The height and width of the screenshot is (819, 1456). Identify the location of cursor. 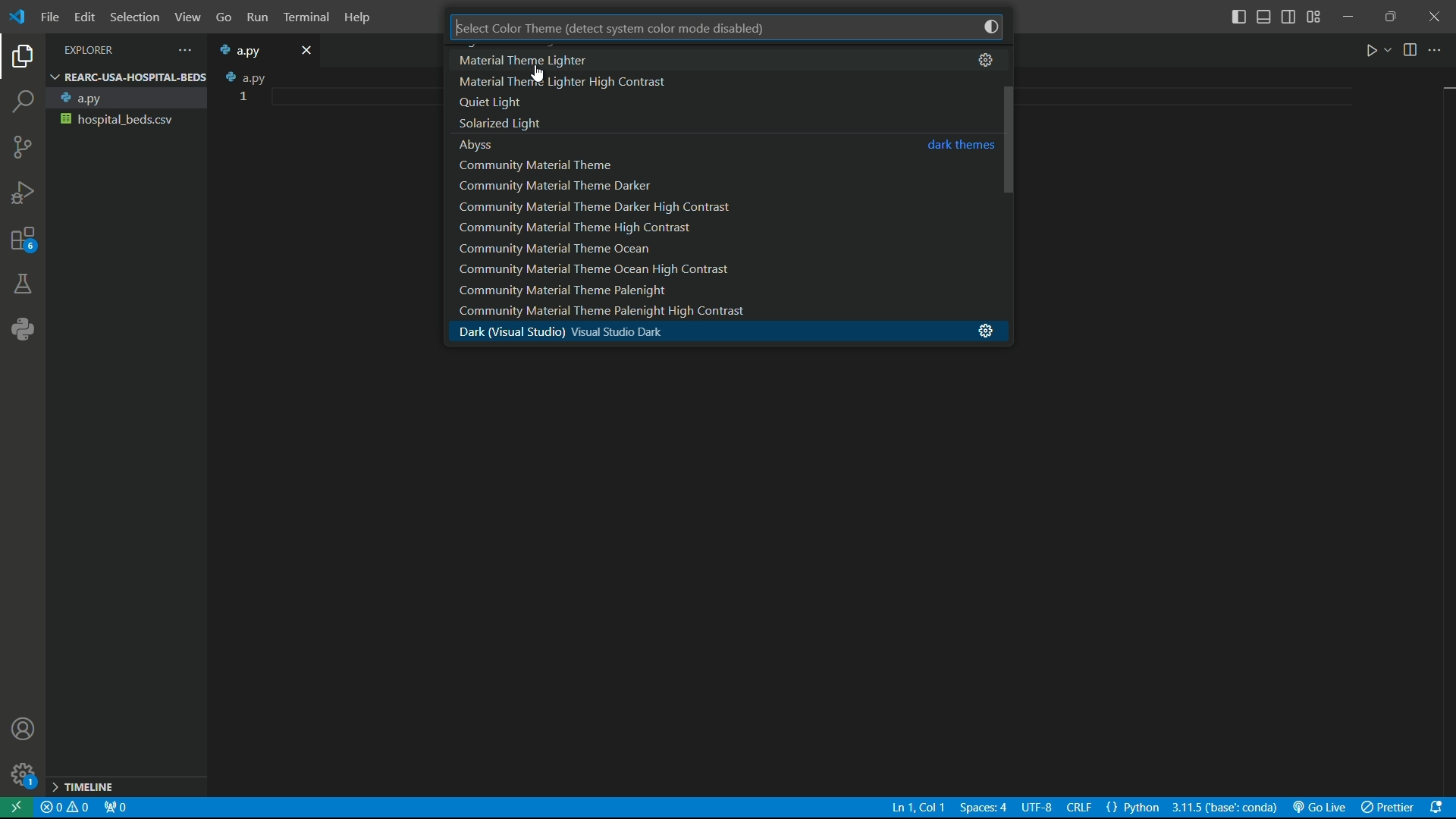
(542, 75).